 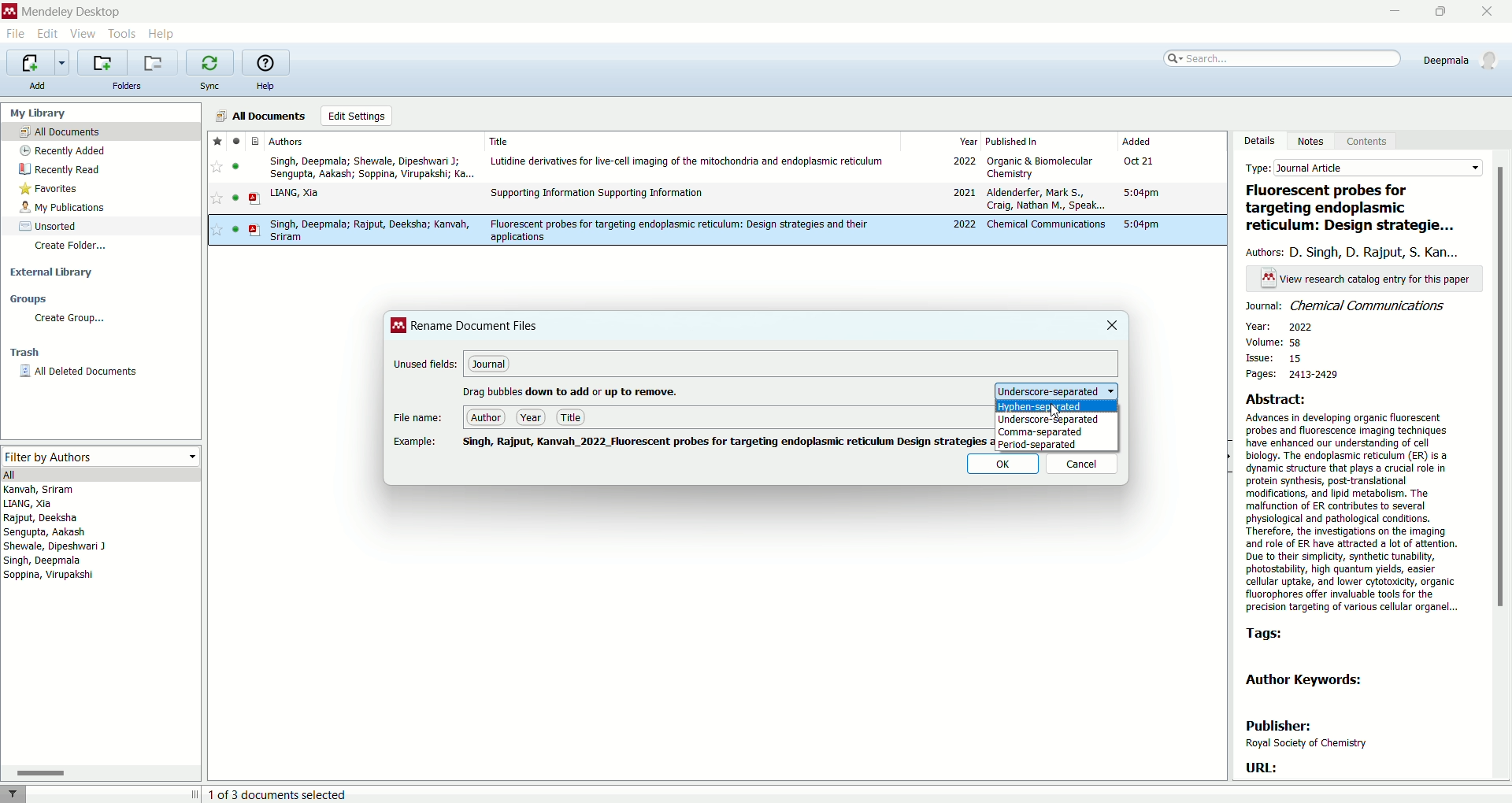 I want to click on year, so click(x=1279, y=326).